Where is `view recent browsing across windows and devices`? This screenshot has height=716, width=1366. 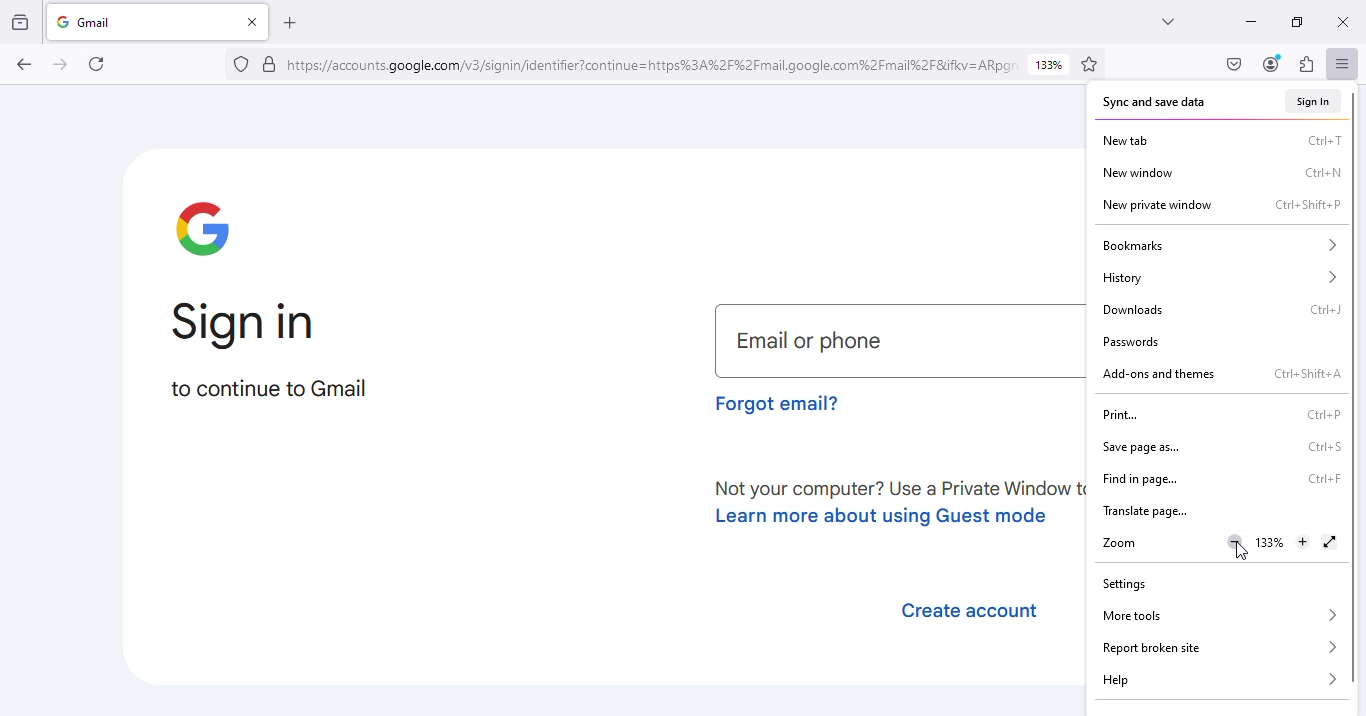 view recent browsing across windows and devices is located at coordinates (21, 22).